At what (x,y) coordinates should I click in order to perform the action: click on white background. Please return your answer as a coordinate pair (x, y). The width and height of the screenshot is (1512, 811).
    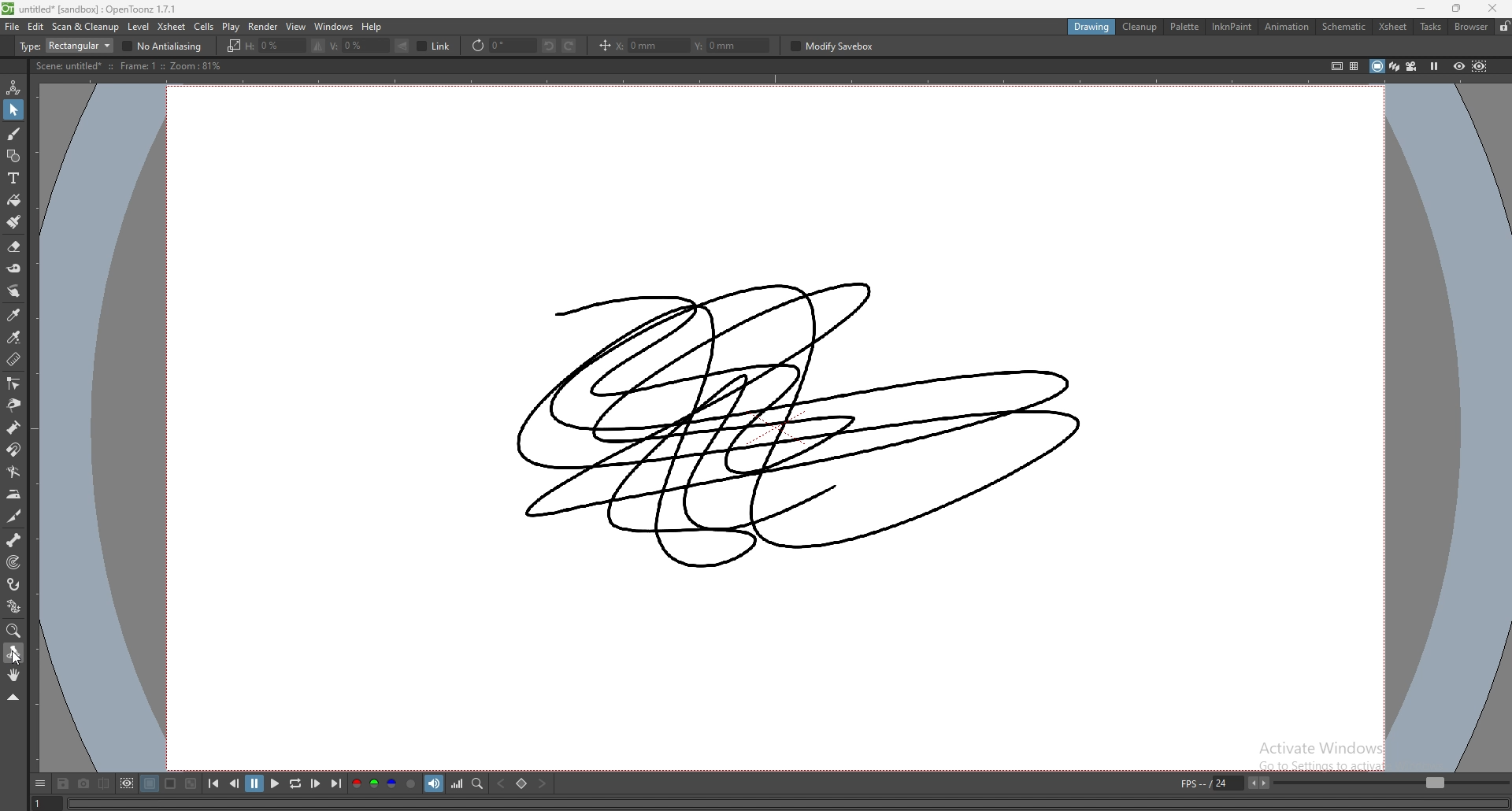
    Looking at the image, I should click on (171, 784).